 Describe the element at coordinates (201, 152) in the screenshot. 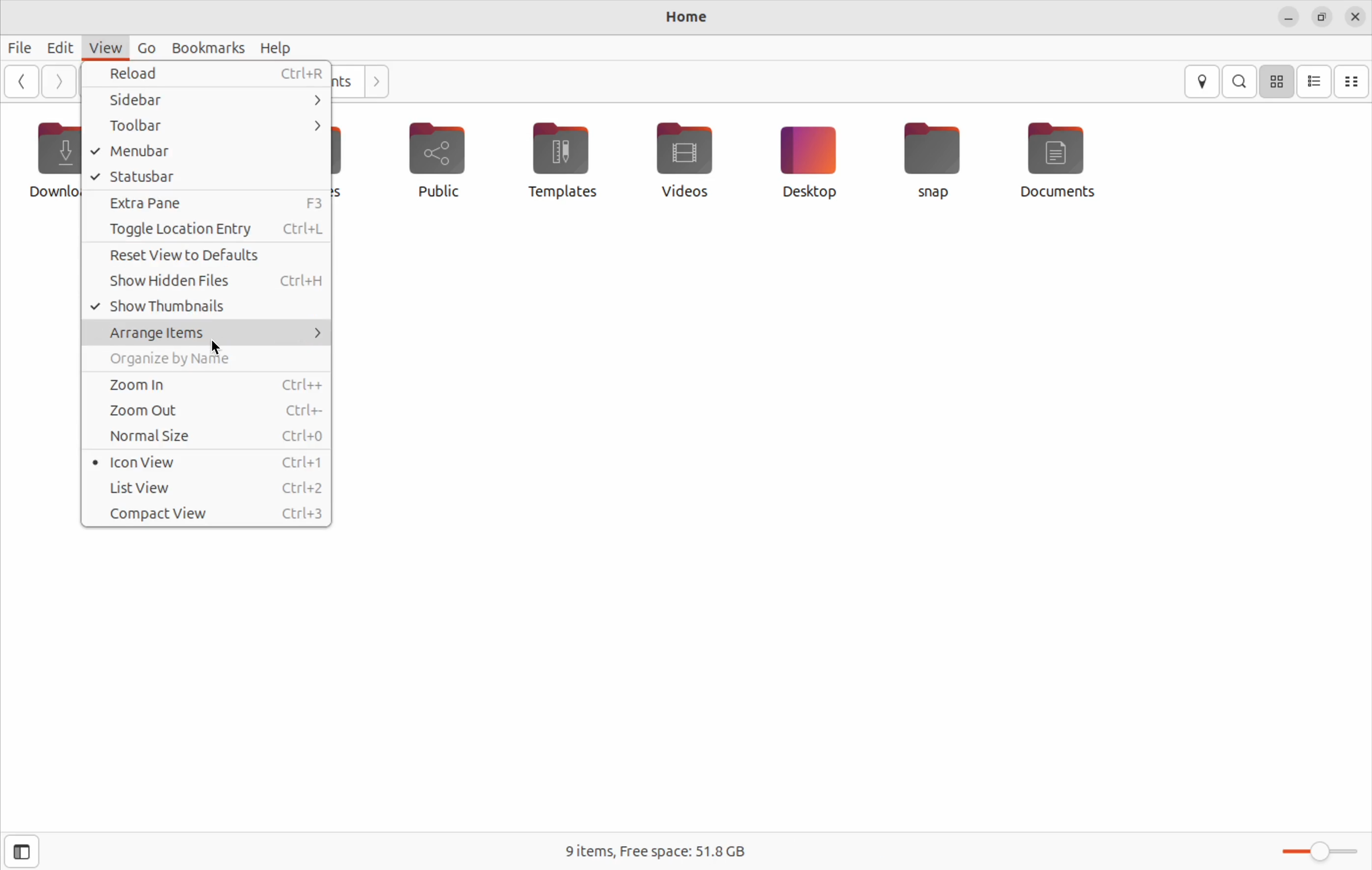

I see `menu bar` at that location.